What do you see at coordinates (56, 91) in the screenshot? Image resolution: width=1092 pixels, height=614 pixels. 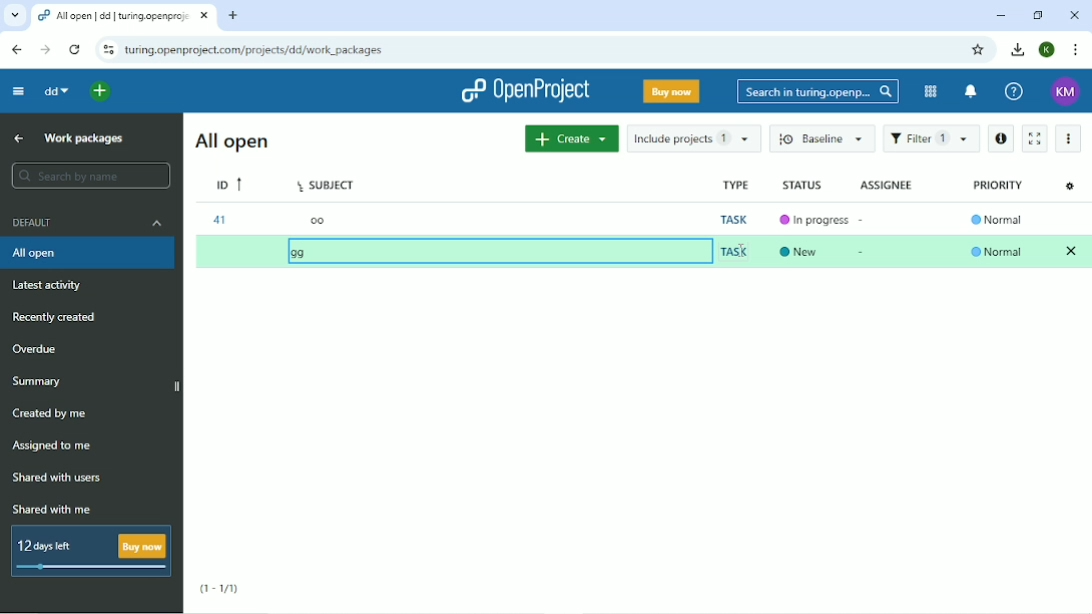 I see `dd` at bounding box center [56, 91].